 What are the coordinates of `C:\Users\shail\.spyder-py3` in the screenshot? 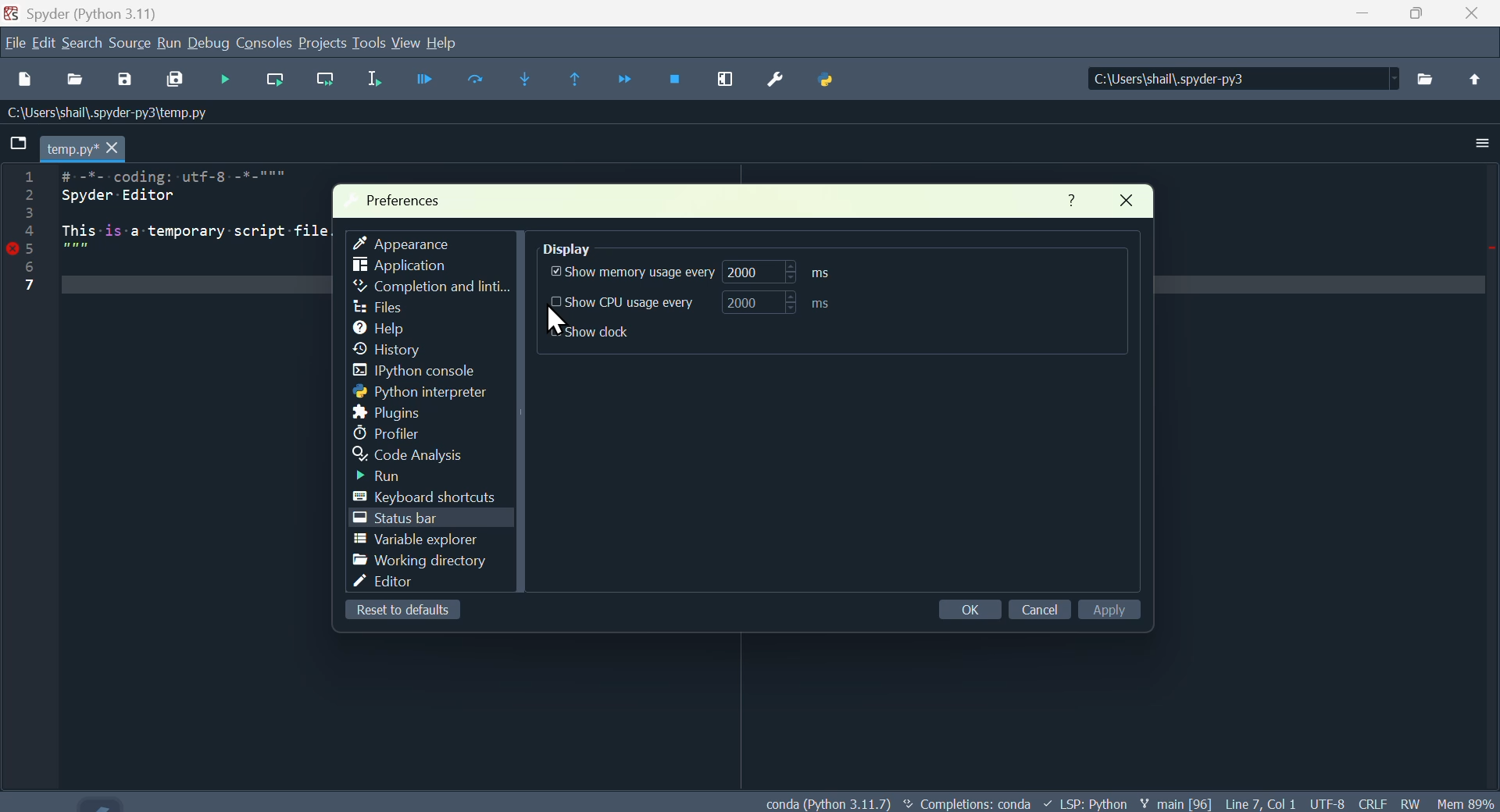 It's located at (1227, 80).